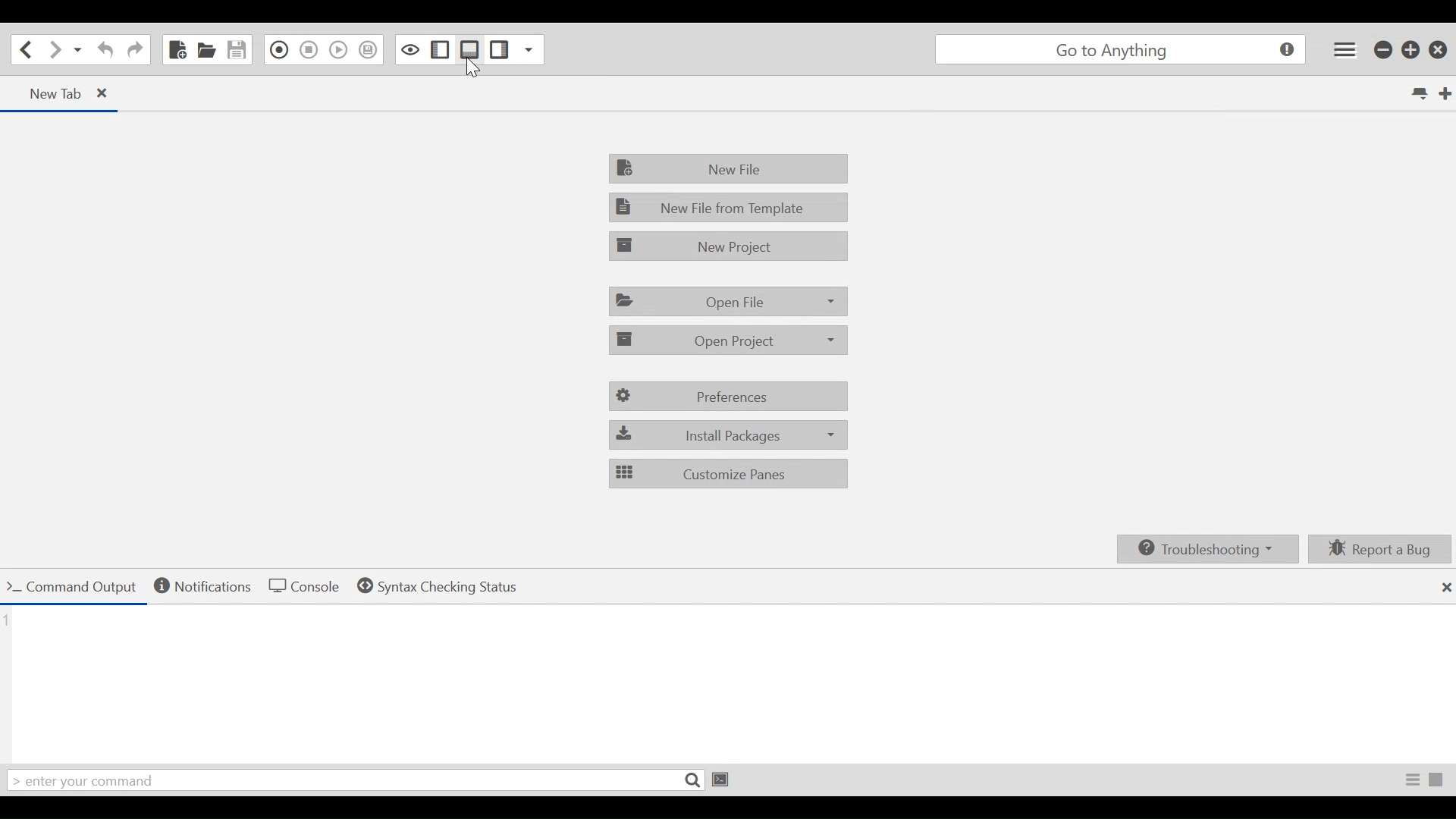 The image size is (1456, 819). Describe the element at coordinates (54, 49) in the screenshot. I see `Go forward one location` at that location.